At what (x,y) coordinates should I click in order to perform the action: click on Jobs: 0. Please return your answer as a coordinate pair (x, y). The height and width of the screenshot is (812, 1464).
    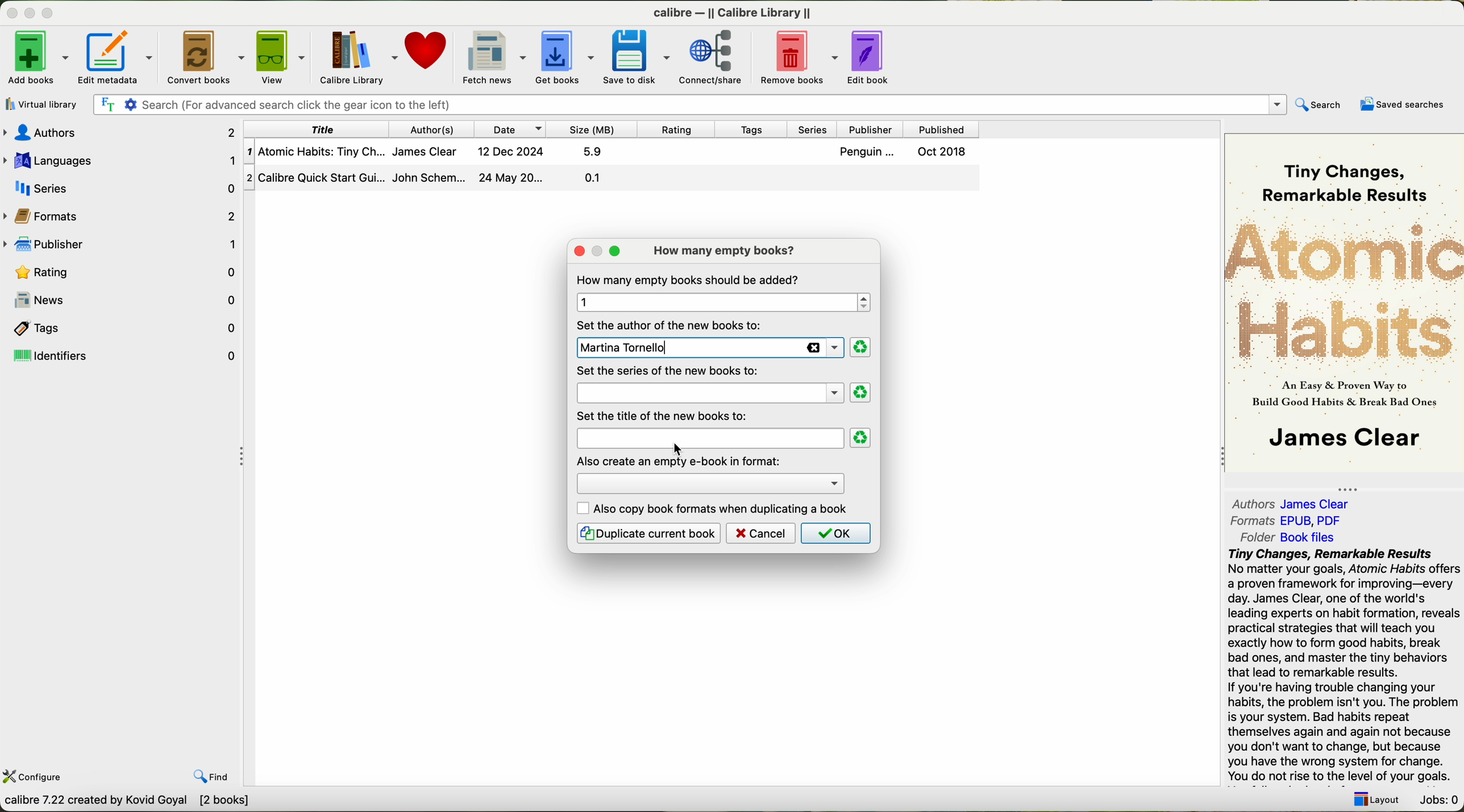
    Looking at the image, I should click on (1437, 801).